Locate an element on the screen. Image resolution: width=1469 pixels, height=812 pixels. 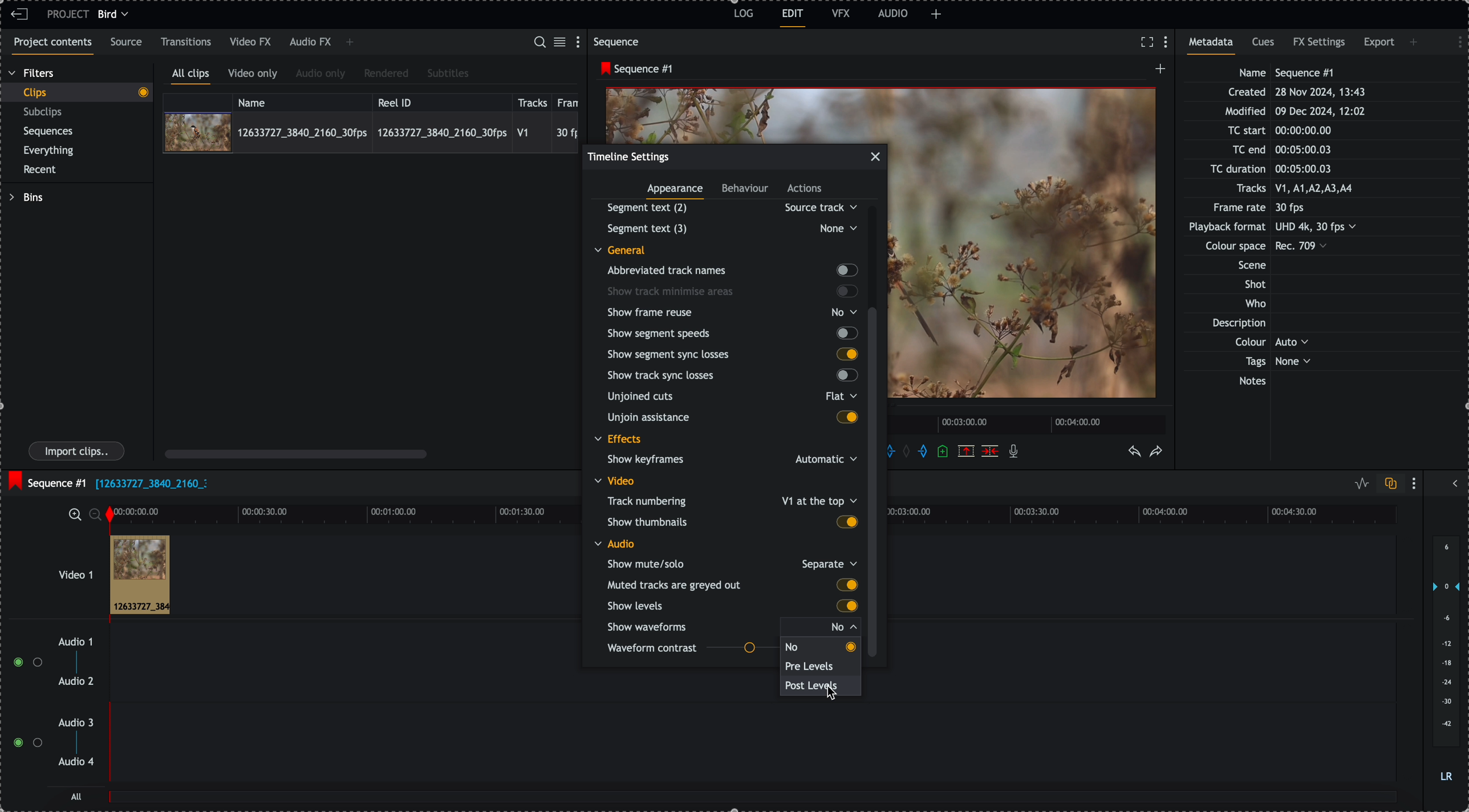
unjoined cuts is located at coordinates (729, 399).